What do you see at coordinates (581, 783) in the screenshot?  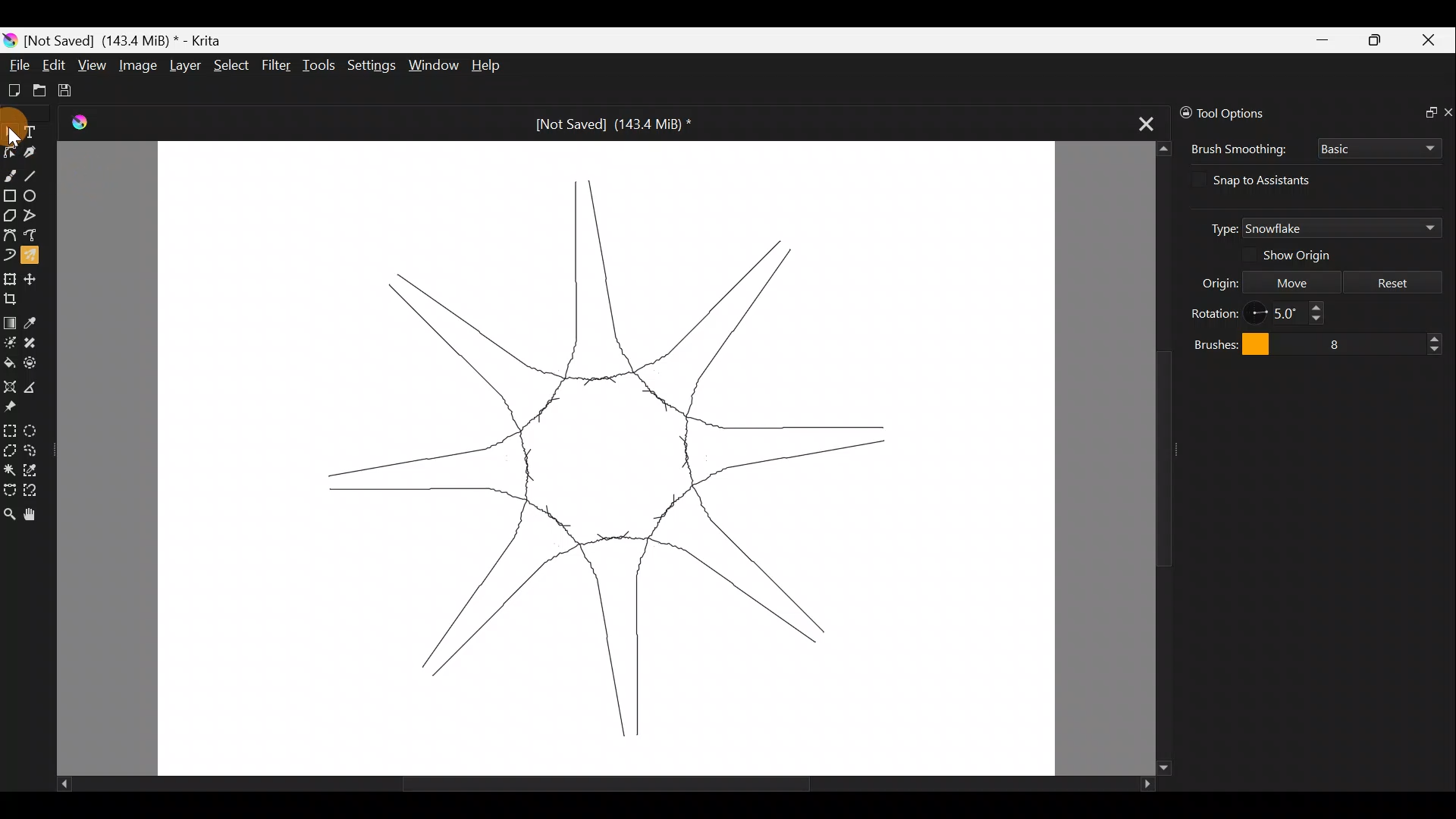 I see `Scroll bar` at bounding box center [581, 783].